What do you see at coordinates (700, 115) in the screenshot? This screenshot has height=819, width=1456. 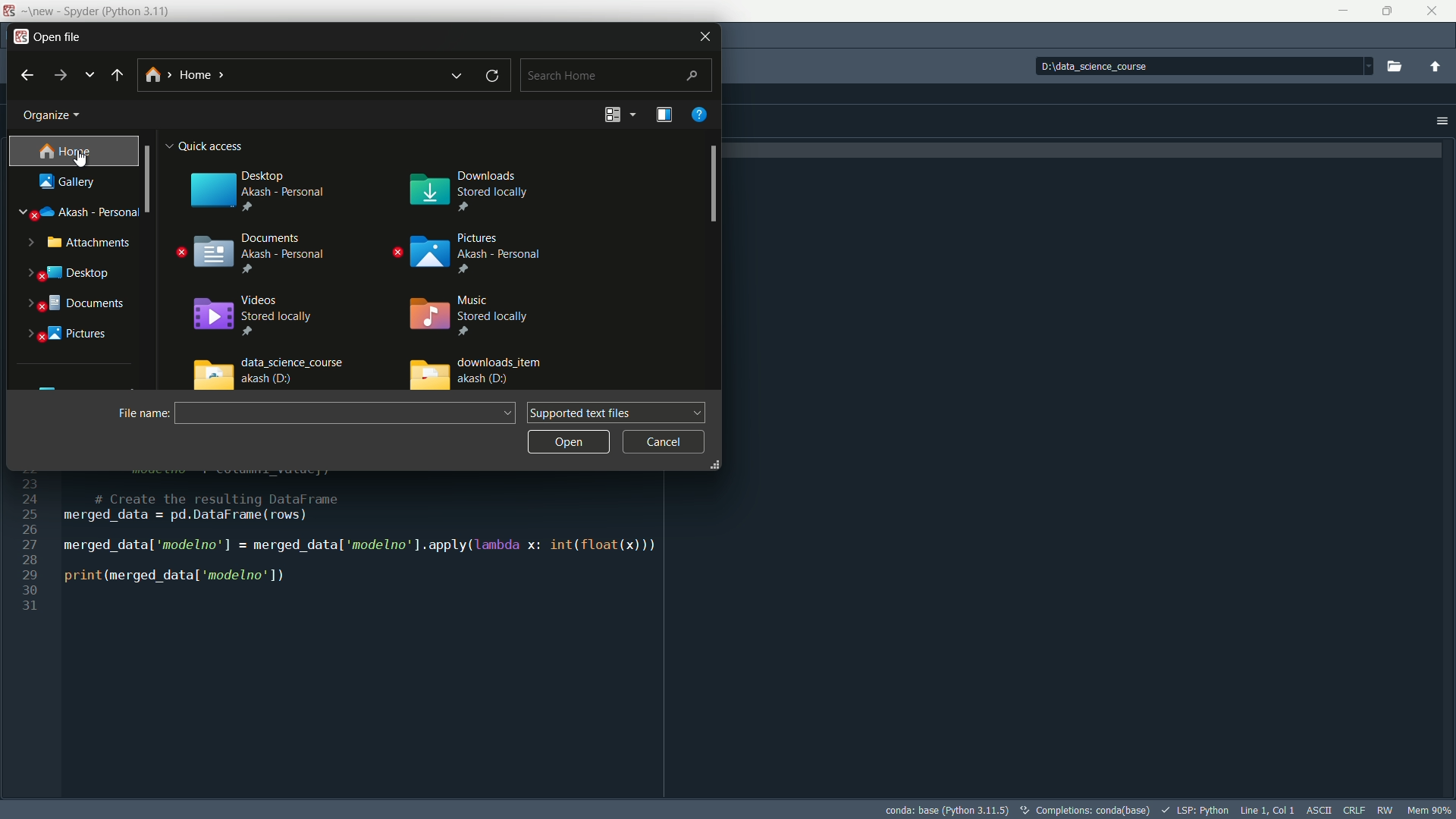 I see `get help` at bounding box center [700, 115].